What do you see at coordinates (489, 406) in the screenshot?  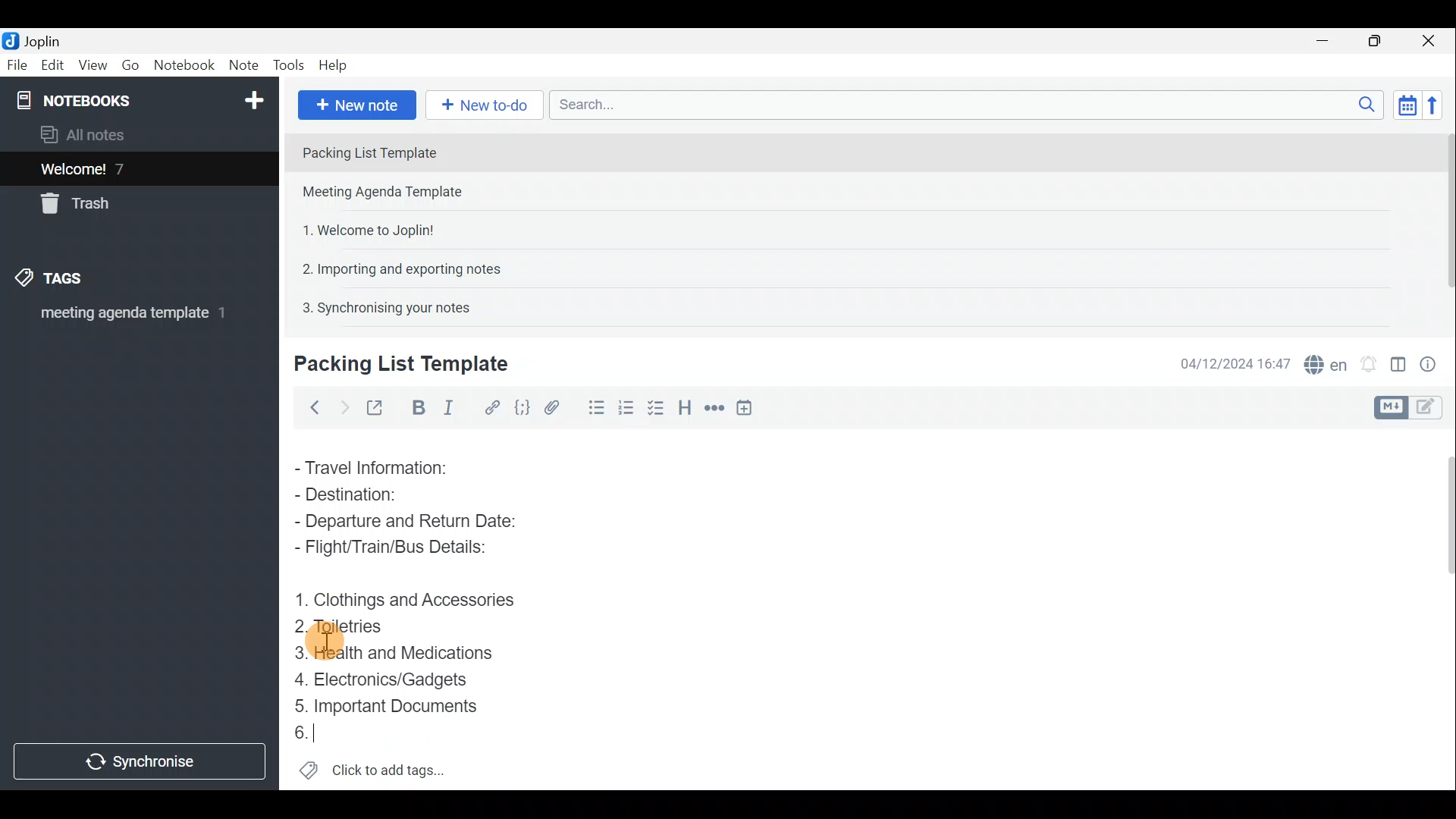 I see `Hyperlink` at bounding box center [489, 406].